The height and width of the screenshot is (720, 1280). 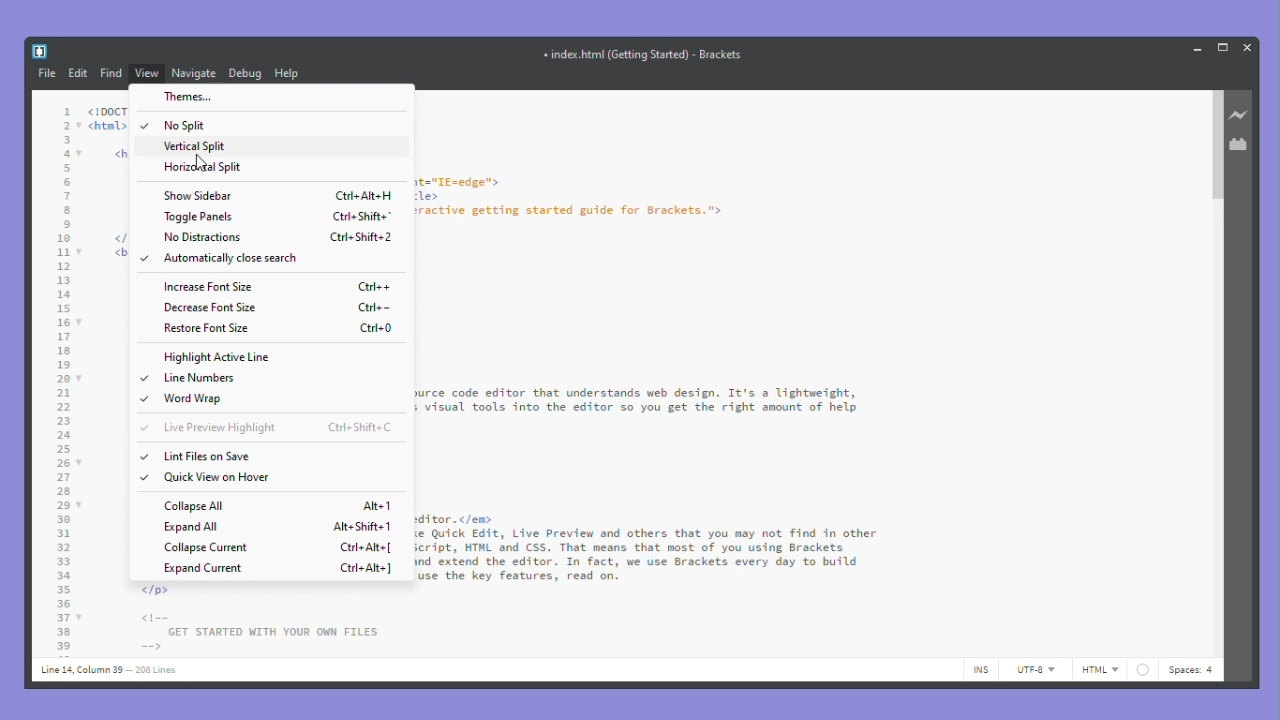 What do you see at coordinates (232, 96) in the screenshot?
I see `Themes` at bounding box center [232, 96].